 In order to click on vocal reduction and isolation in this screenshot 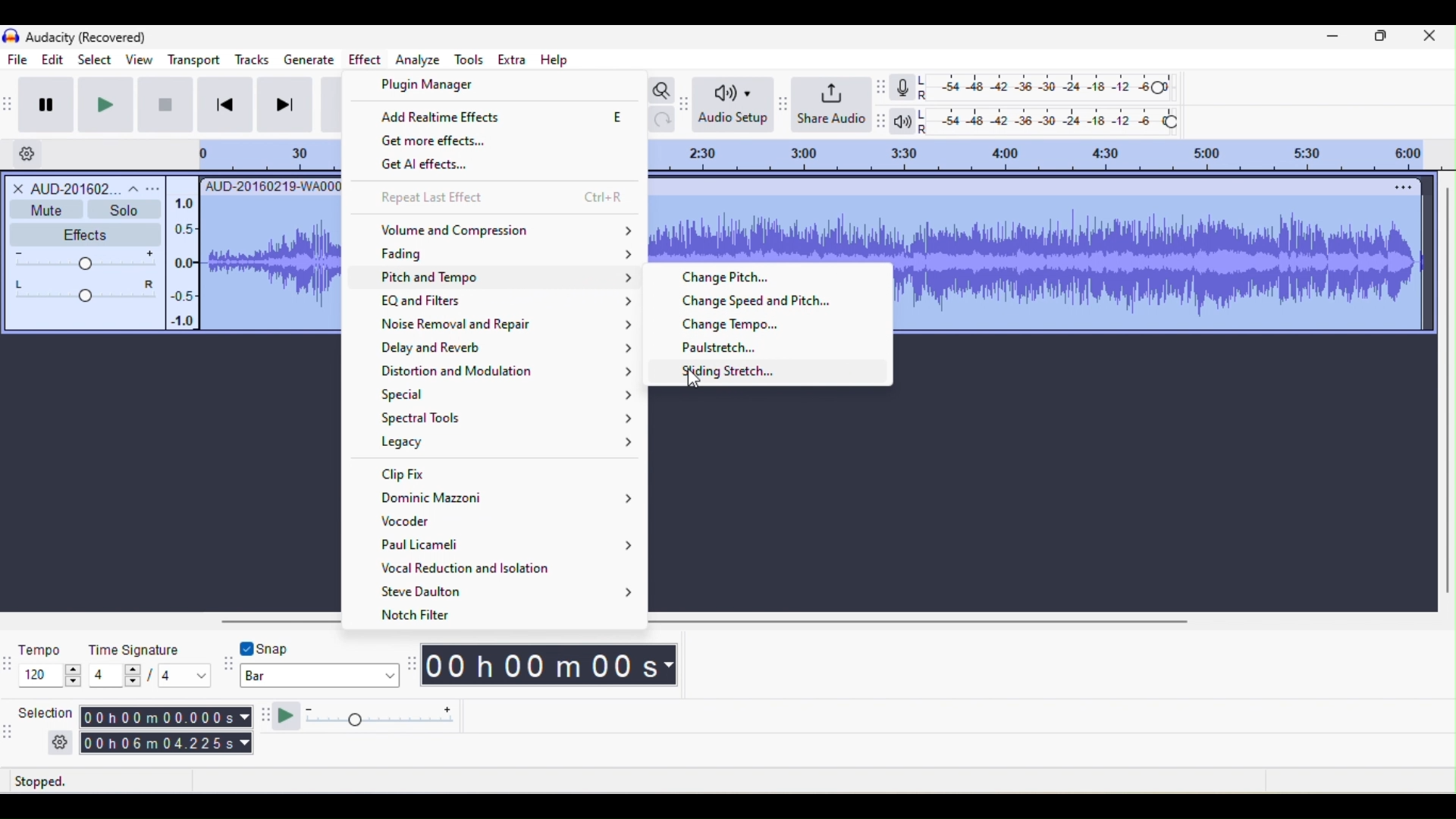, I will do `click(505, 569)`.